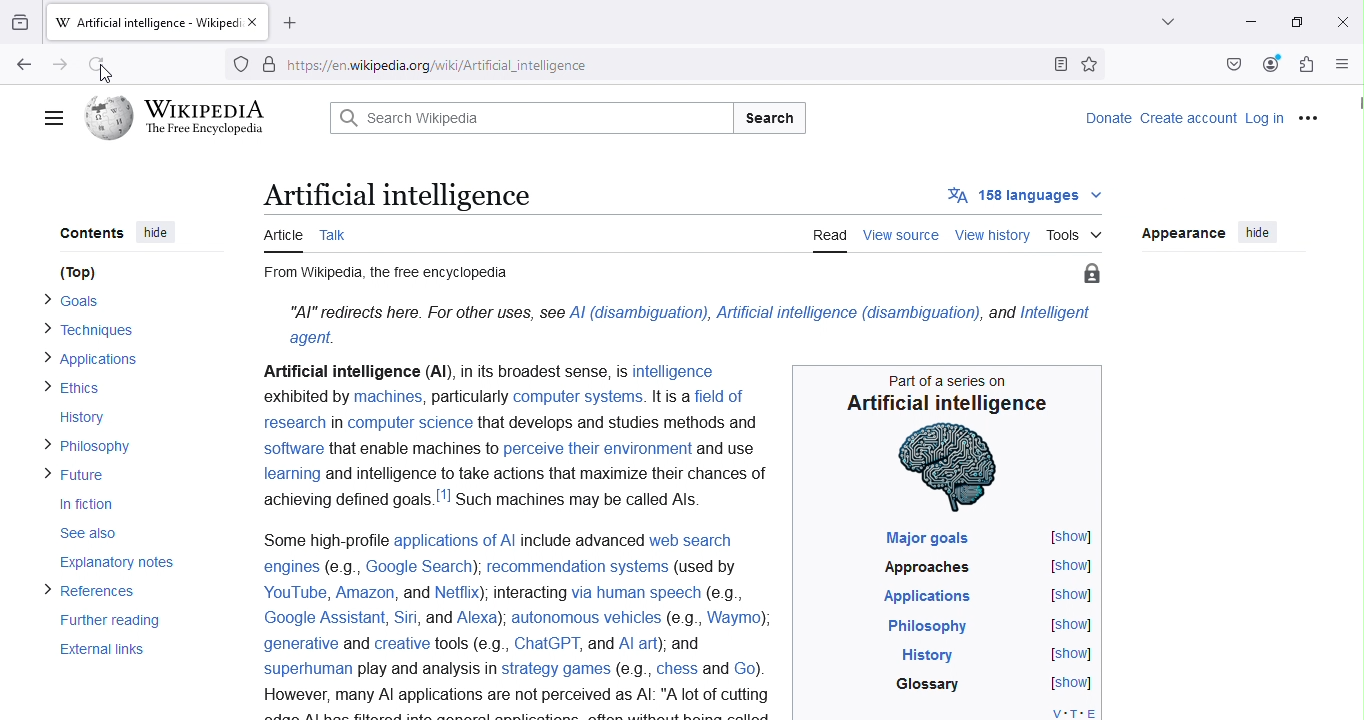 The height and width of the screenshot is (720, 1364). Describe the element at coordinates (1077, 235) in the screenshot. I see `Tools` at that location.